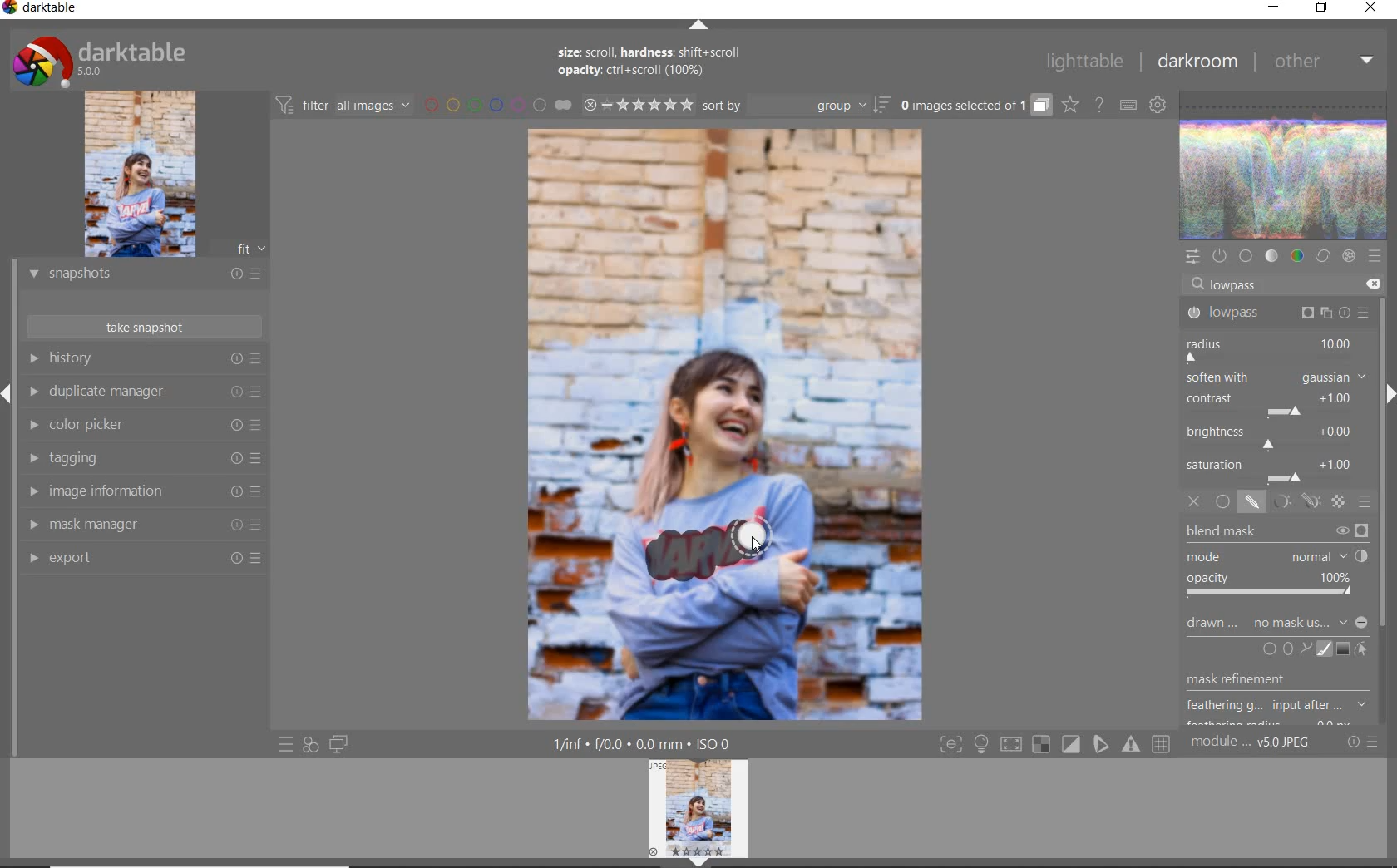 This screenshot has width=1397, height=868. Describe the element at coordinates (1275, 436) in the screenshot. I see `brightness` at that location.